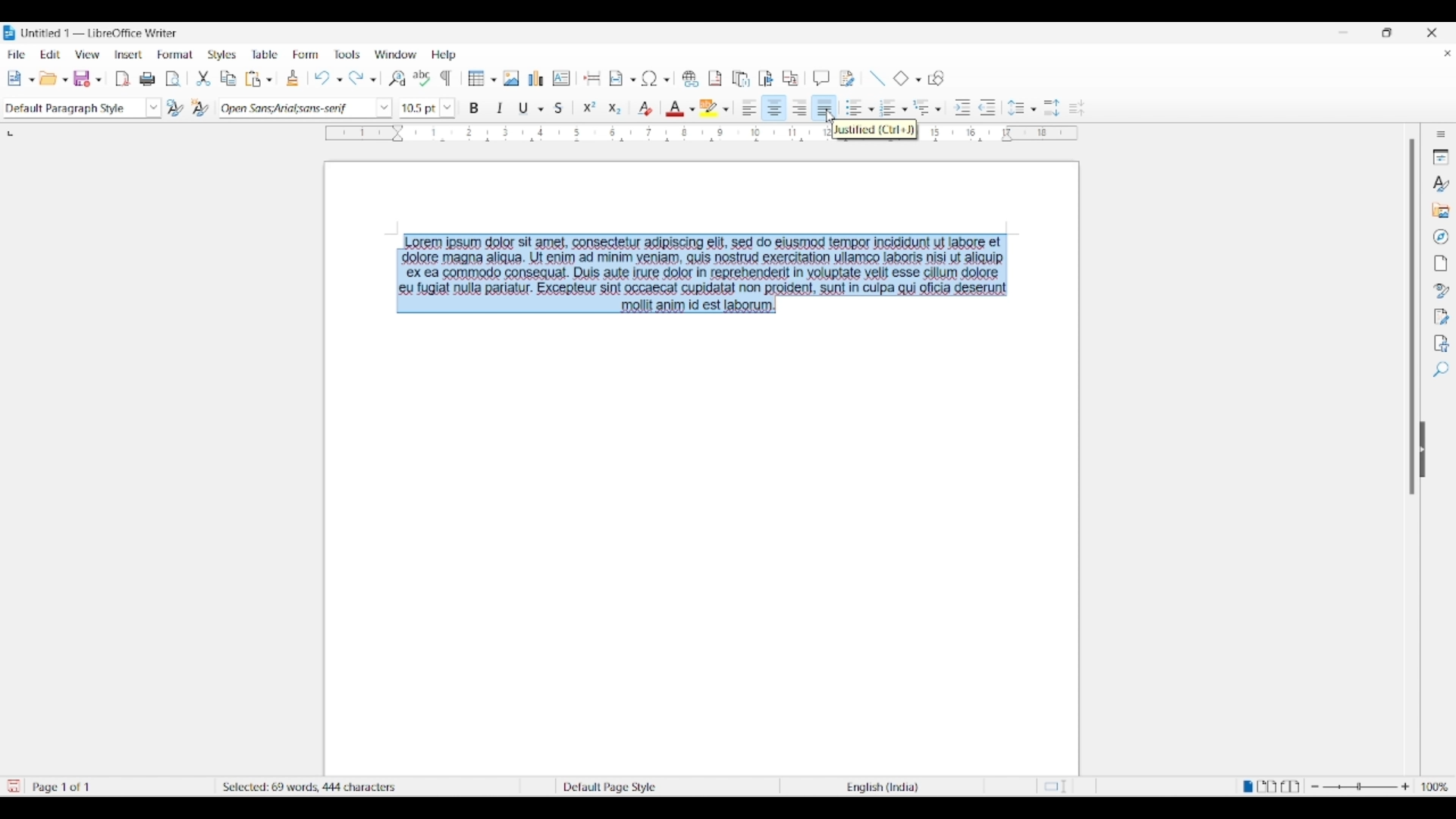 This screenshot has width=1456, height=819. I want to click on Manually change font, so click(295, 108).